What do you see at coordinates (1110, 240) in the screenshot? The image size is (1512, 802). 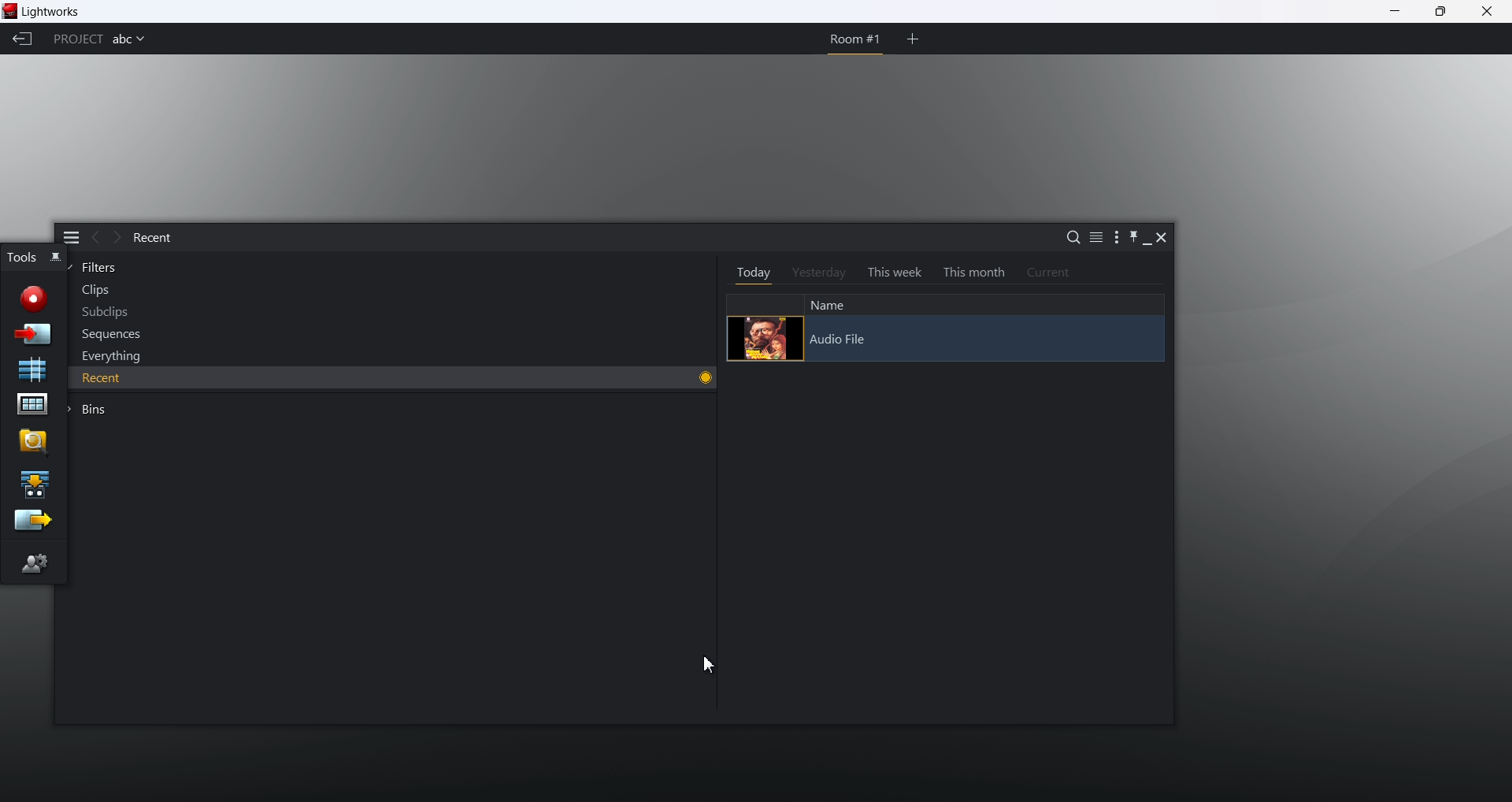 I see `more` at bounding box center [1110, 240].